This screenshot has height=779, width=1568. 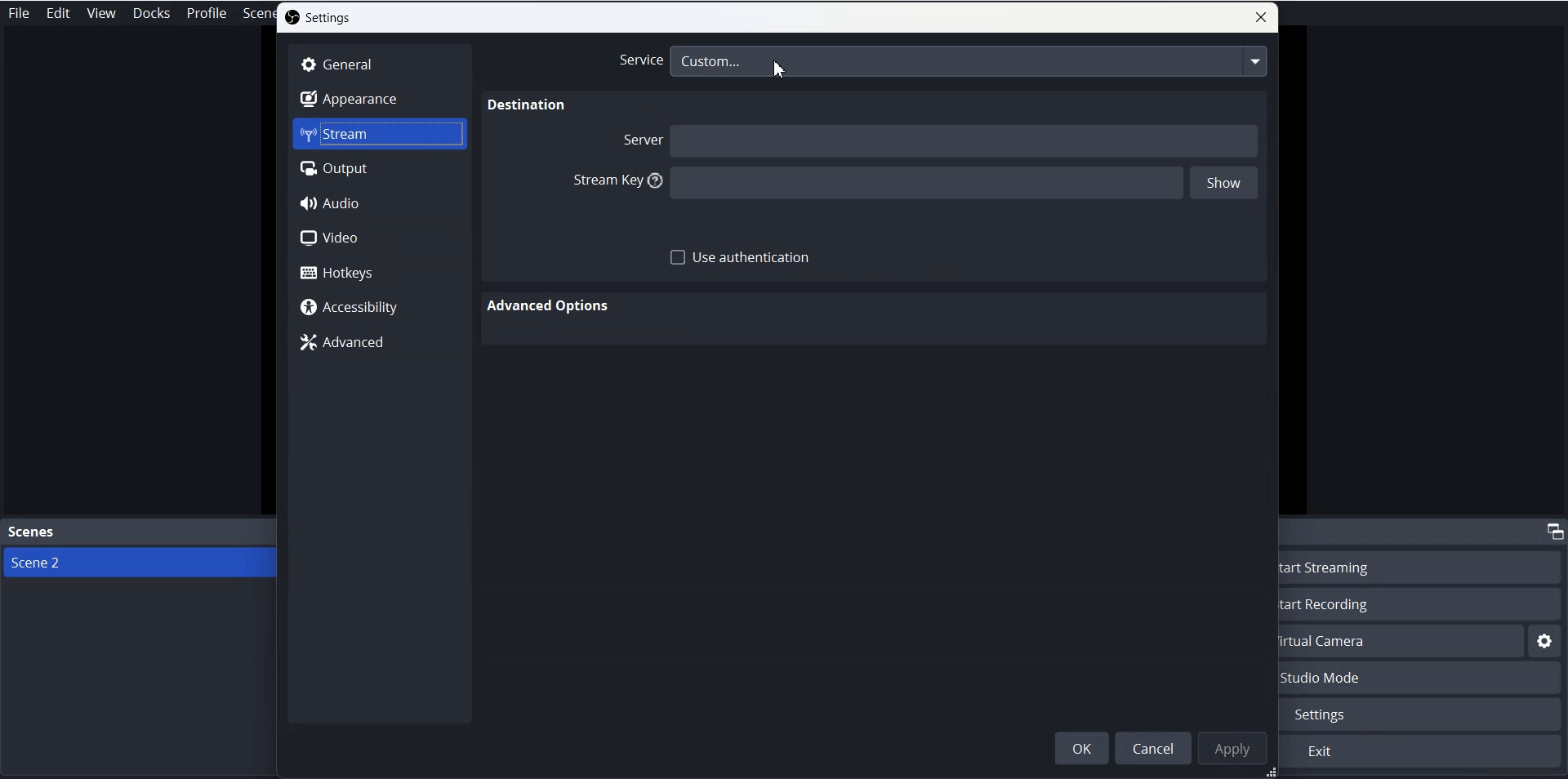 What do you see at coordinates (377, 341) in the screenshot?
I see `Advanced` at bounding box center [377, 341].